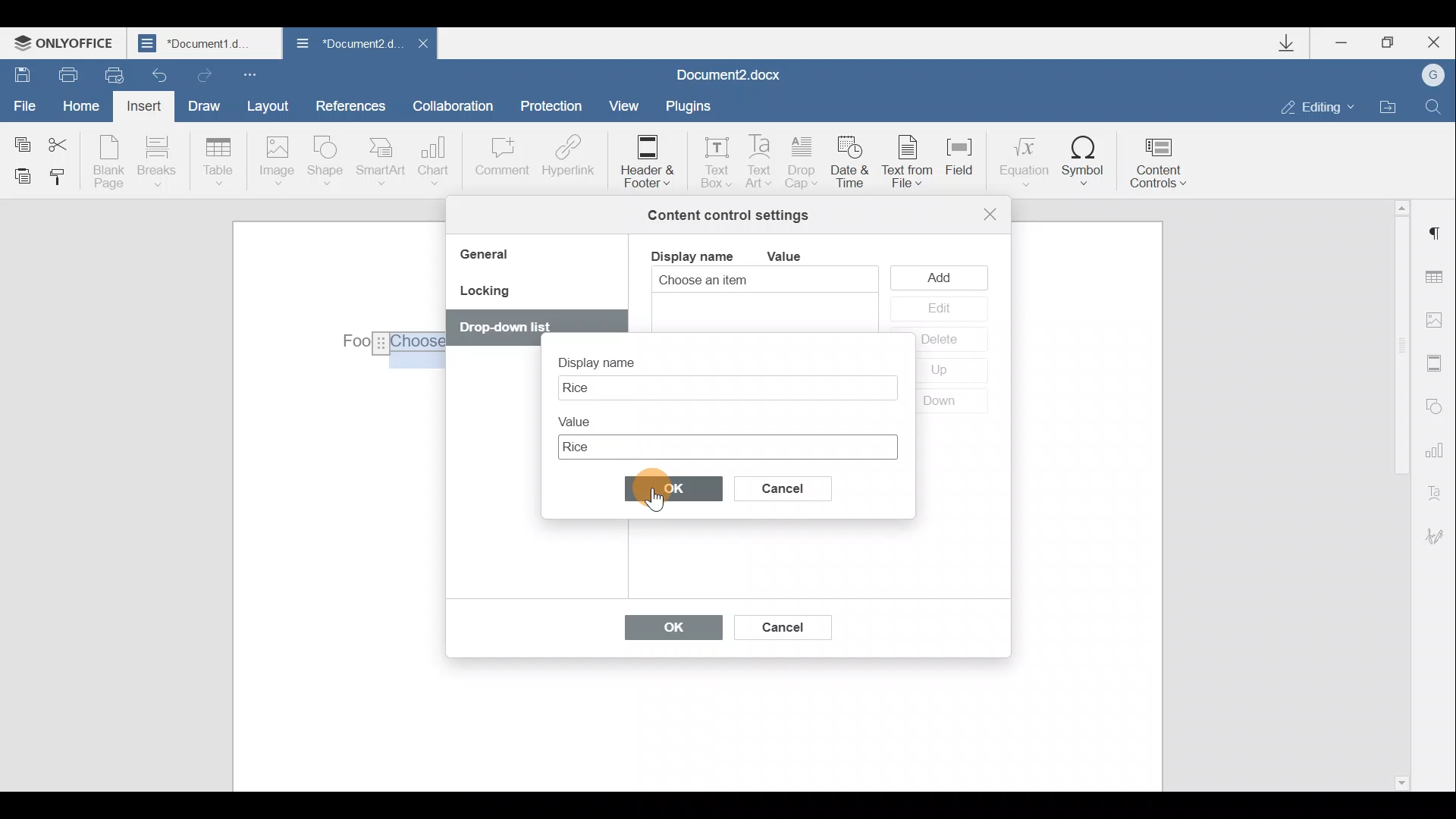 Image resolution: width=1456 pixels, height=819 pixels. I want to click on Content control settings, so click(728, 215).